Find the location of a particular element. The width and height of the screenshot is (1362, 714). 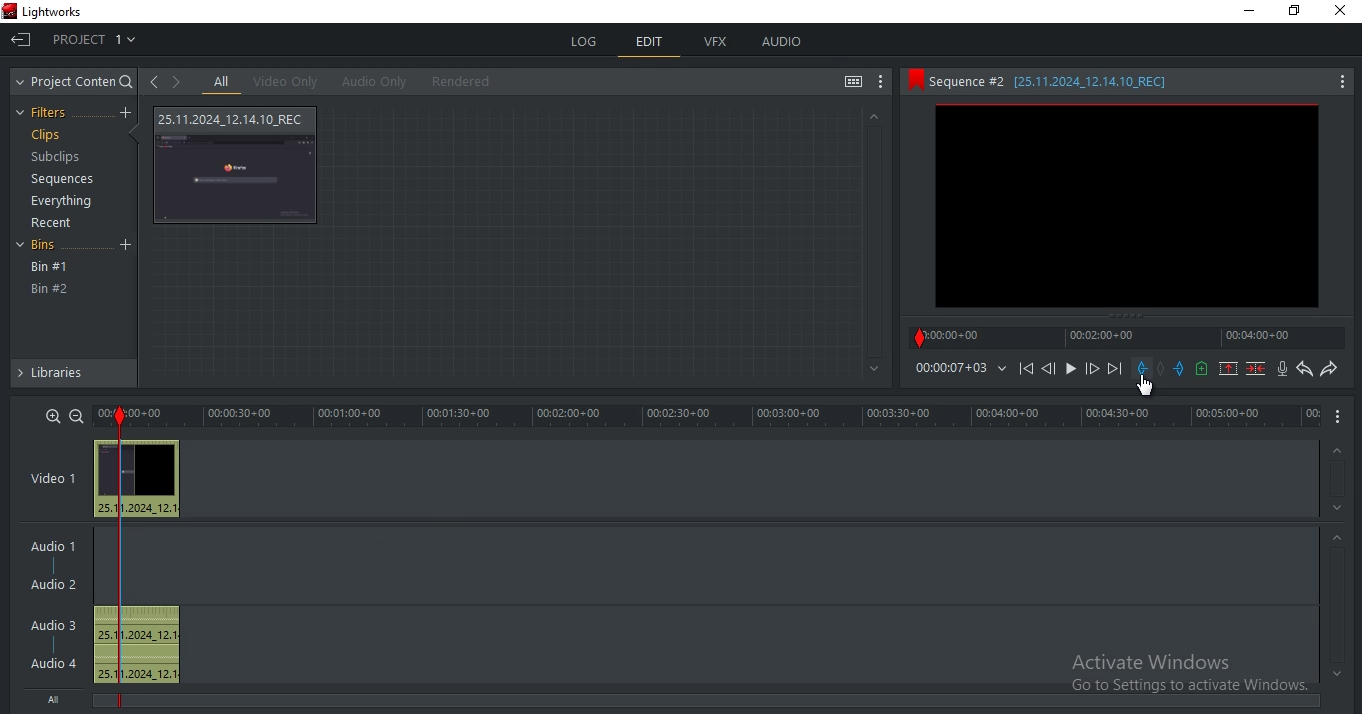

Next is located at coordinates (1117, 368).